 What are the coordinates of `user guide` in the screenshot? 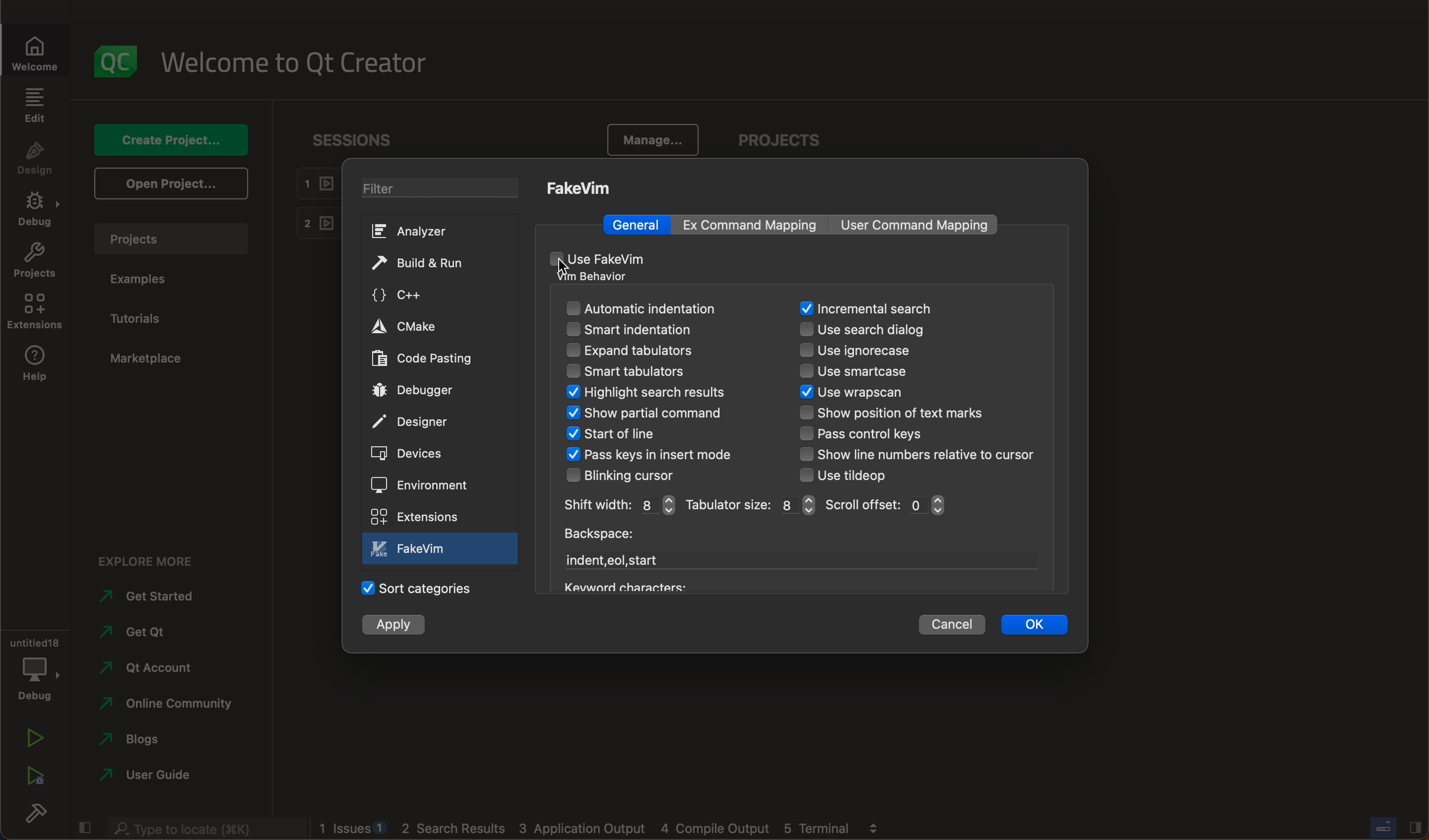 It's located at (158, 777).